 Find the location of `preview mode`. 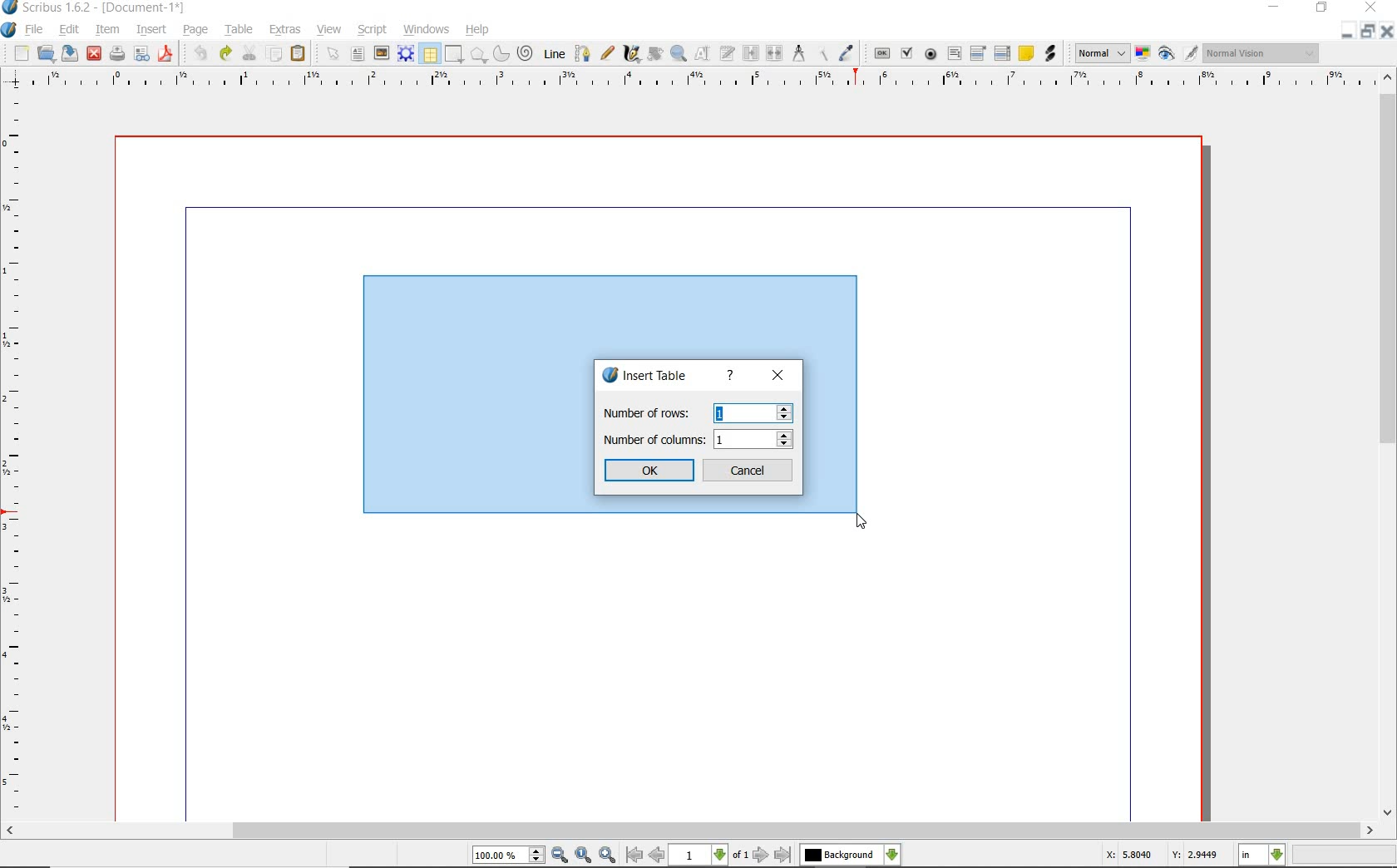

preview mode is located at coordinates (1167, 55).